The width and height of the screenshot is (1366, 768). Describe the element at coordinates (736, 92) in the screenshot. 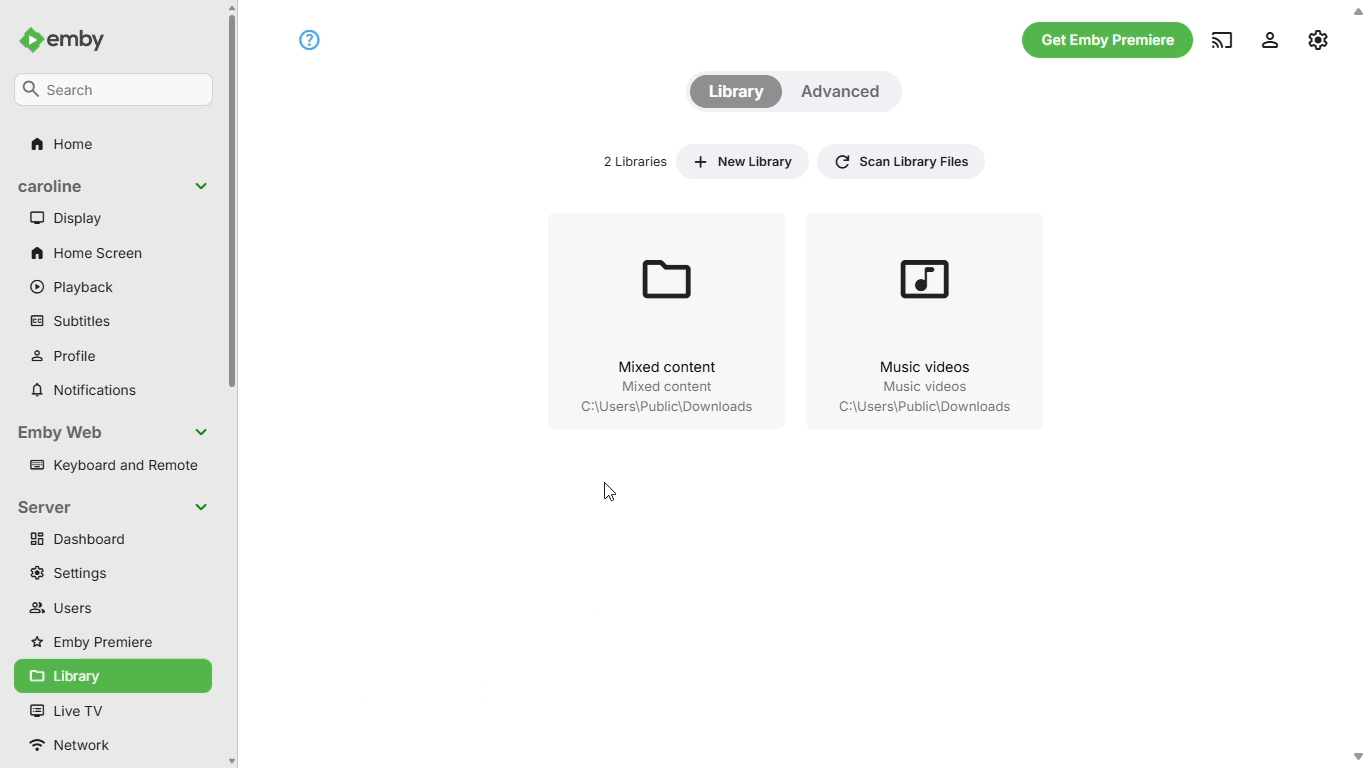

I see `library` at that location.